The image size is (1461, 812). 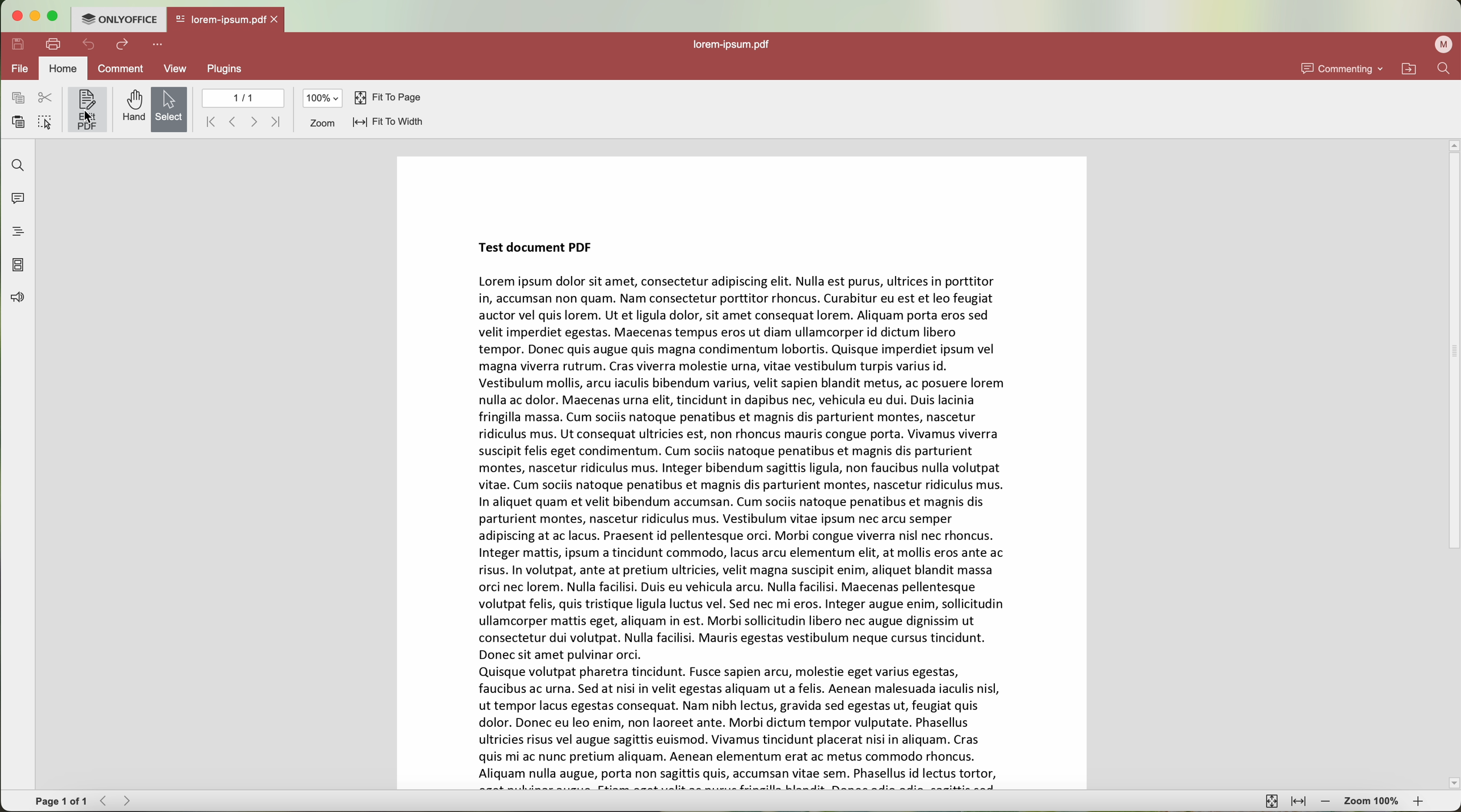 I want to click on Test document PDF, so click(x=742, y=473).